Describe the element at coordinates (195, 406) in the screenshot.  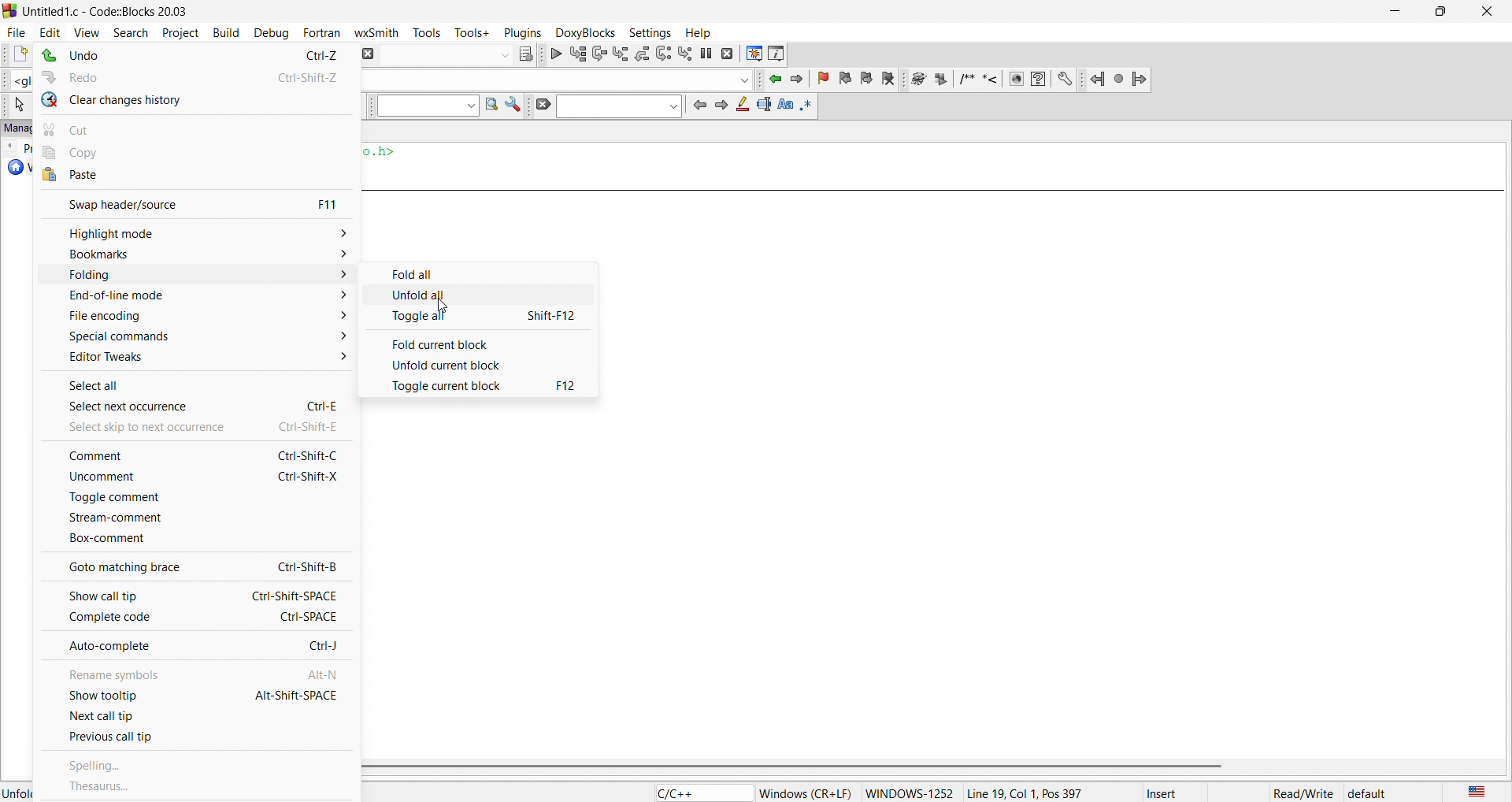
I see `select next occurence` at that location.